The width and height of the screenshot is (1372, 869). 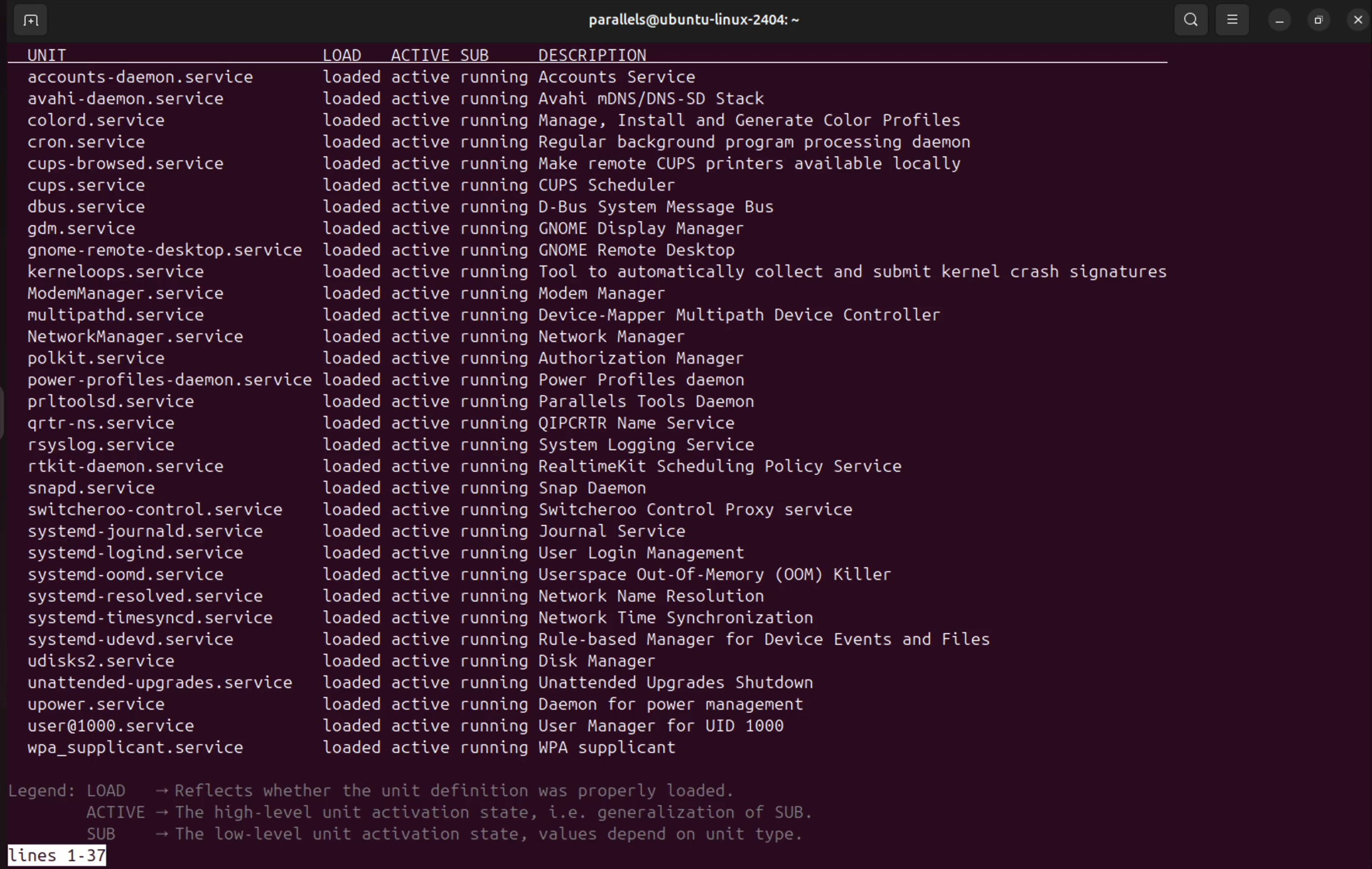 I want to click on system.unved service, so click(x=138, y=642).